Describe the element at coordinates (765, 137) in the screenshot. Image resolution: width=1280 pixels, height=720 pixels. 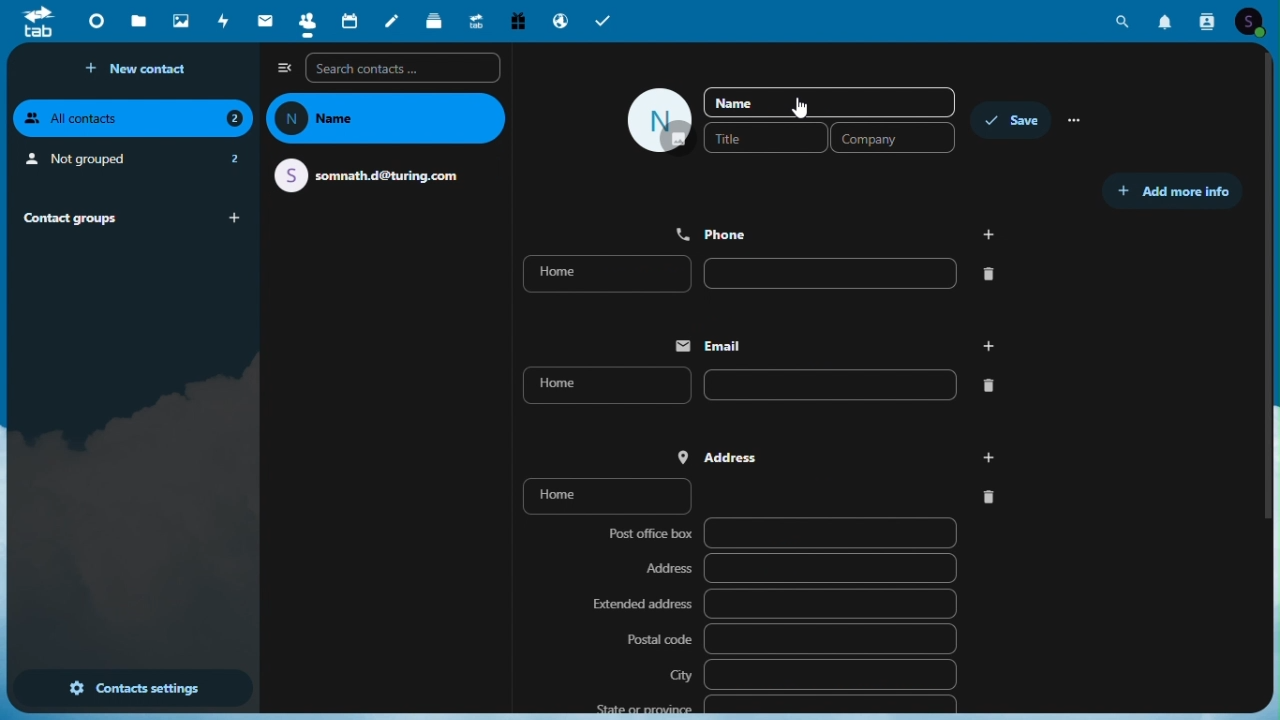
I see `Title` at that location.